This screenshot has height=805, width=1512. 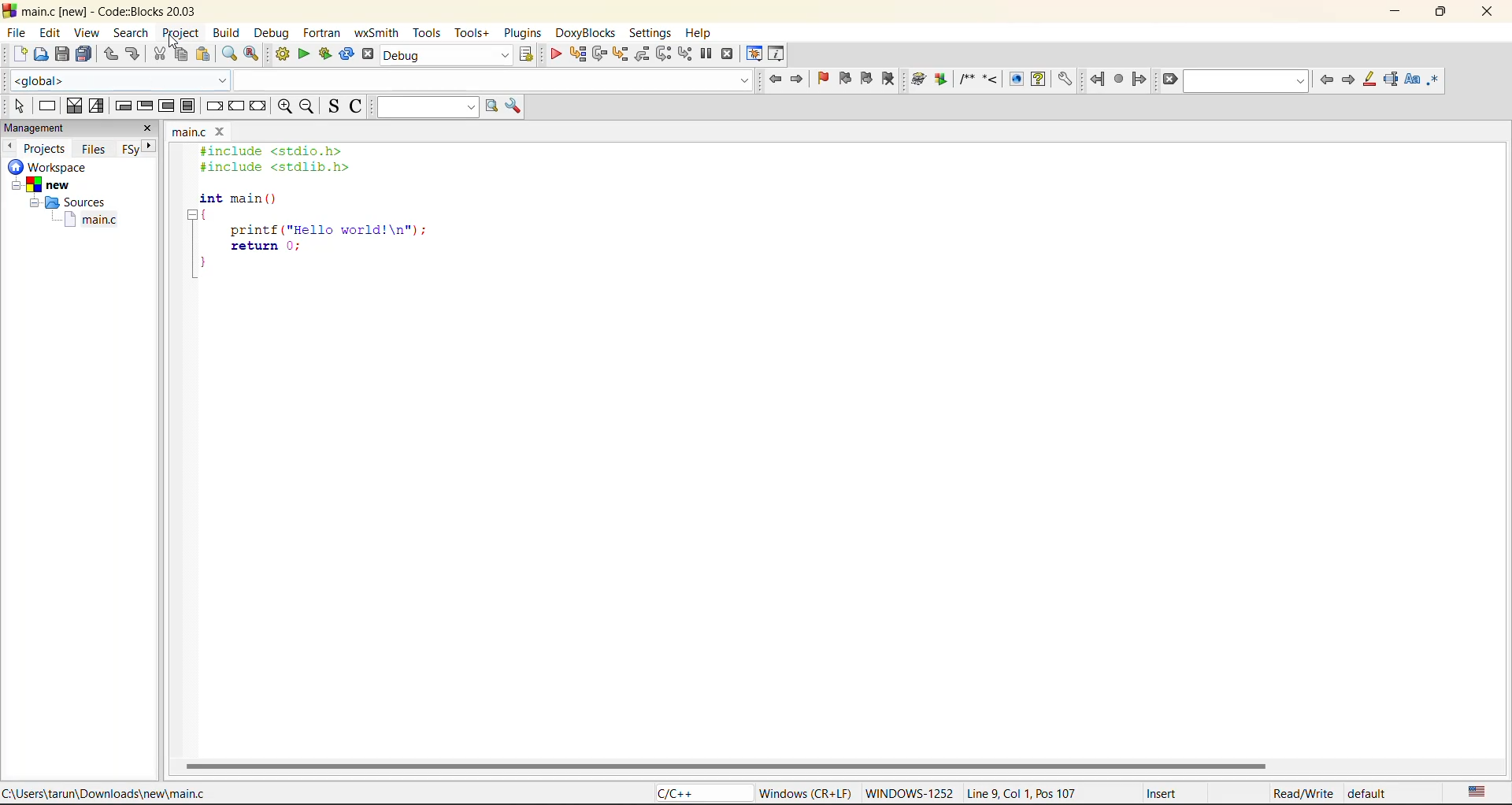 I want to click on build, so click(x=282, y=54).